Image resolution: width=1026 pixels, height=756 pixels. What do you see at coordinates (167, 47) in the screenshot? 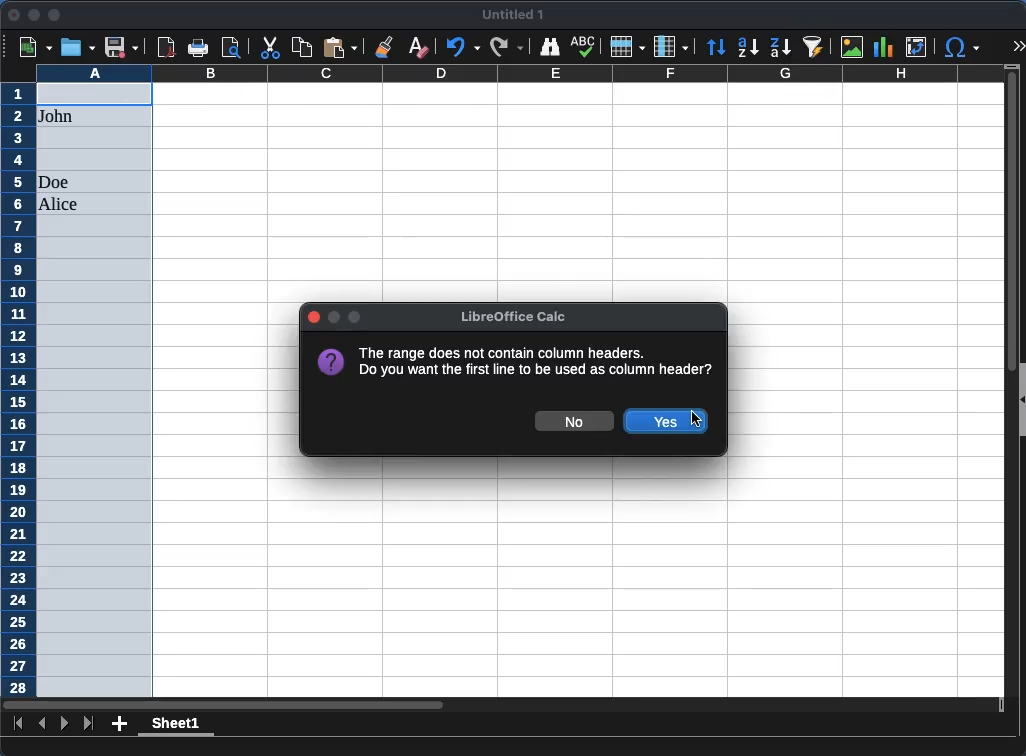
I see `pdf reviewer` at bounding box center [167, 47].